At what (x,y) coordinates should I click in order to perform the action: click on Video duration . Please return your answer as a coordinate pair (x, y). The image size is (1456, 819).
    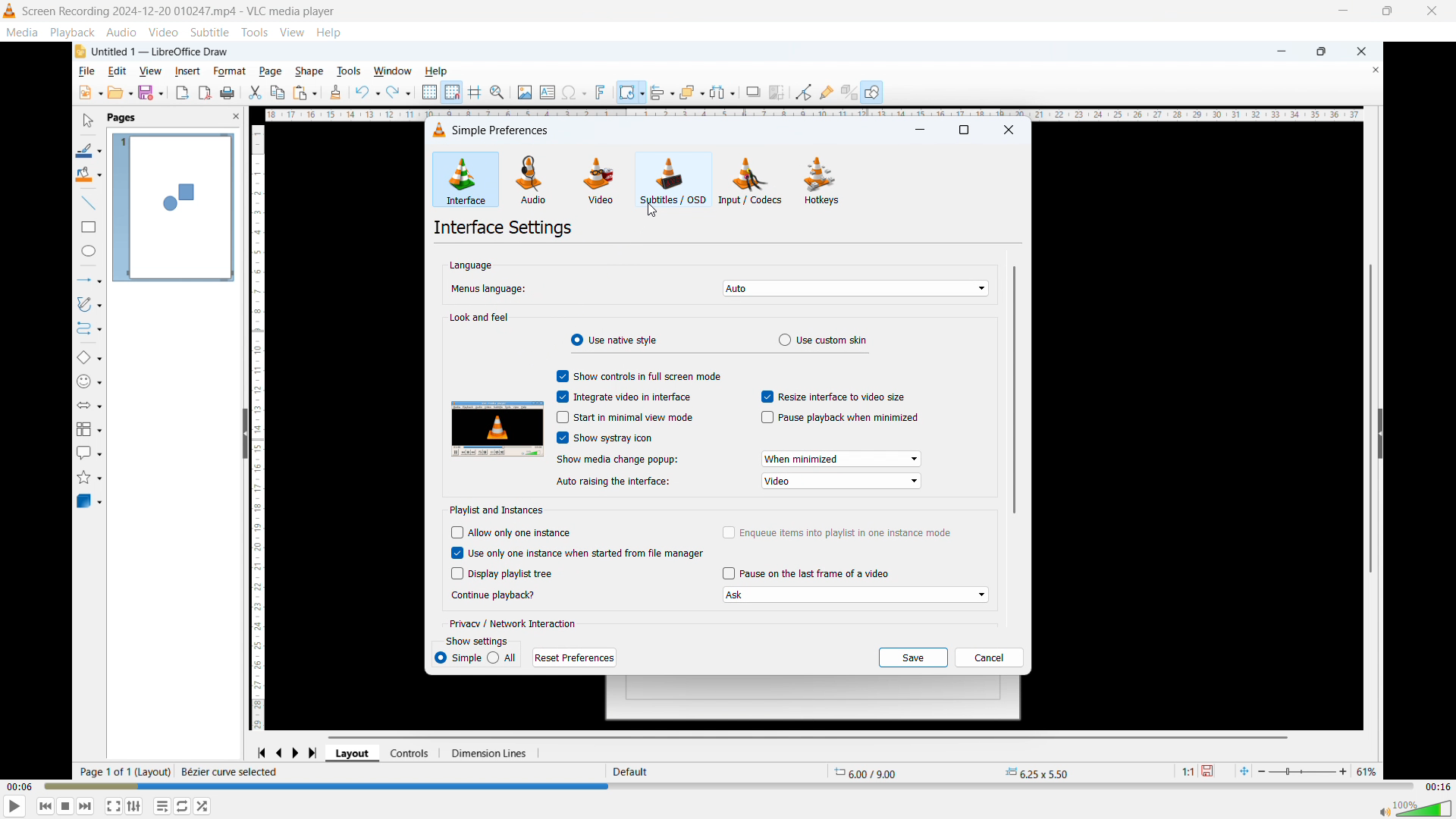
    Looking at the image, I should click on (1438, 787).